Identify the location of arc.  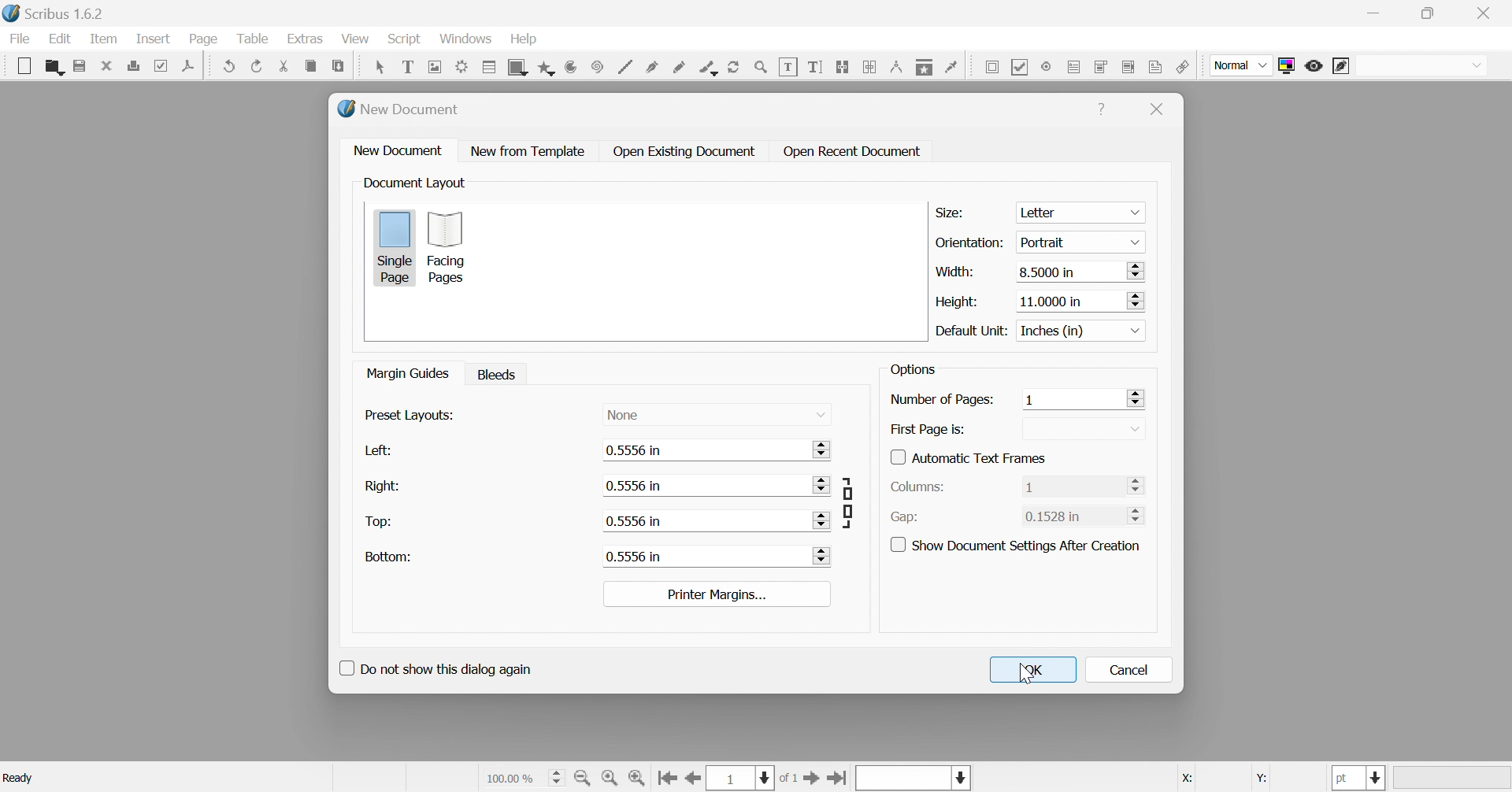
(571, 68).